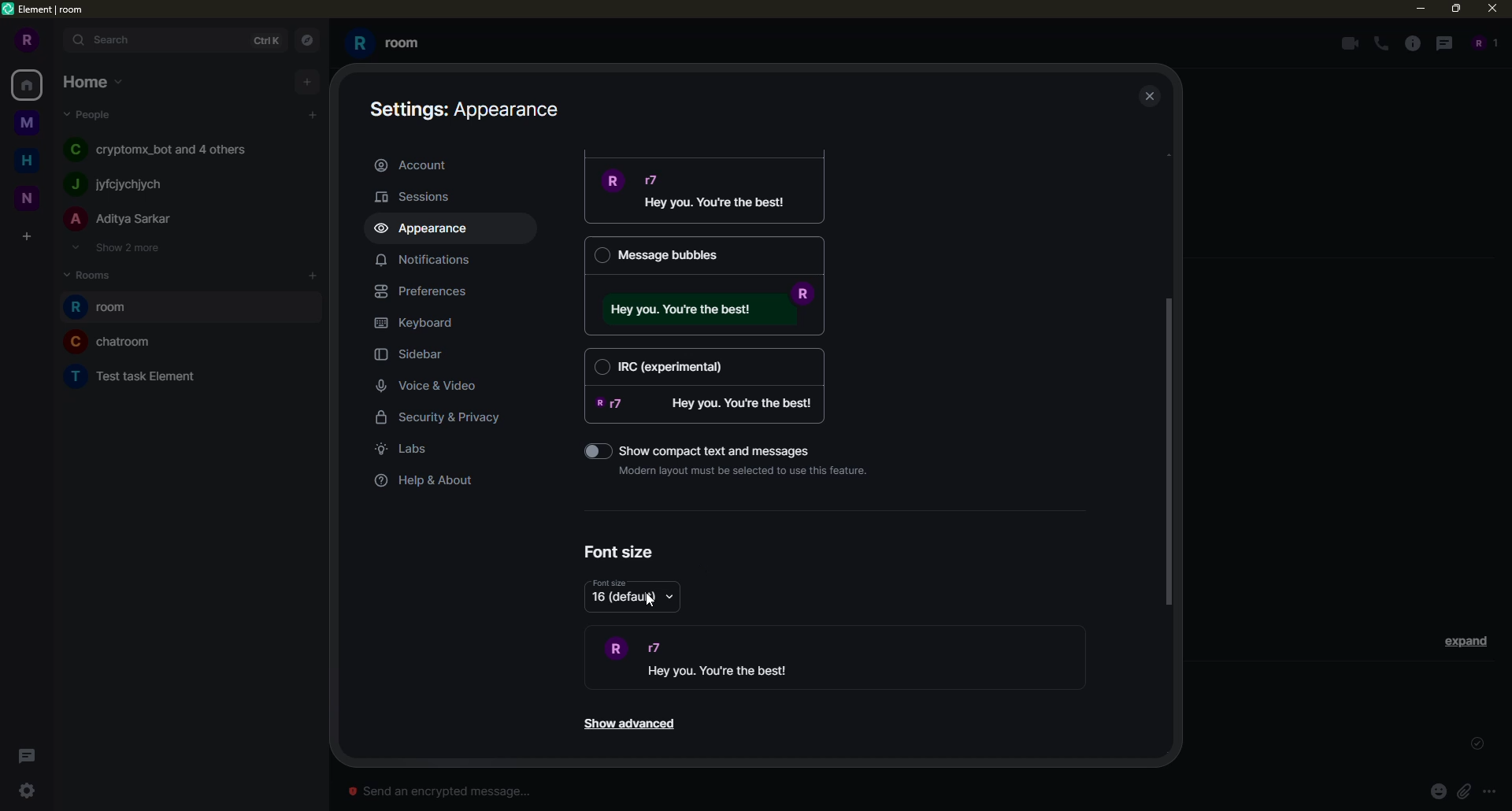  Describe the element at coordinates (112, 39) in the screenshot. I see `search` at that location.